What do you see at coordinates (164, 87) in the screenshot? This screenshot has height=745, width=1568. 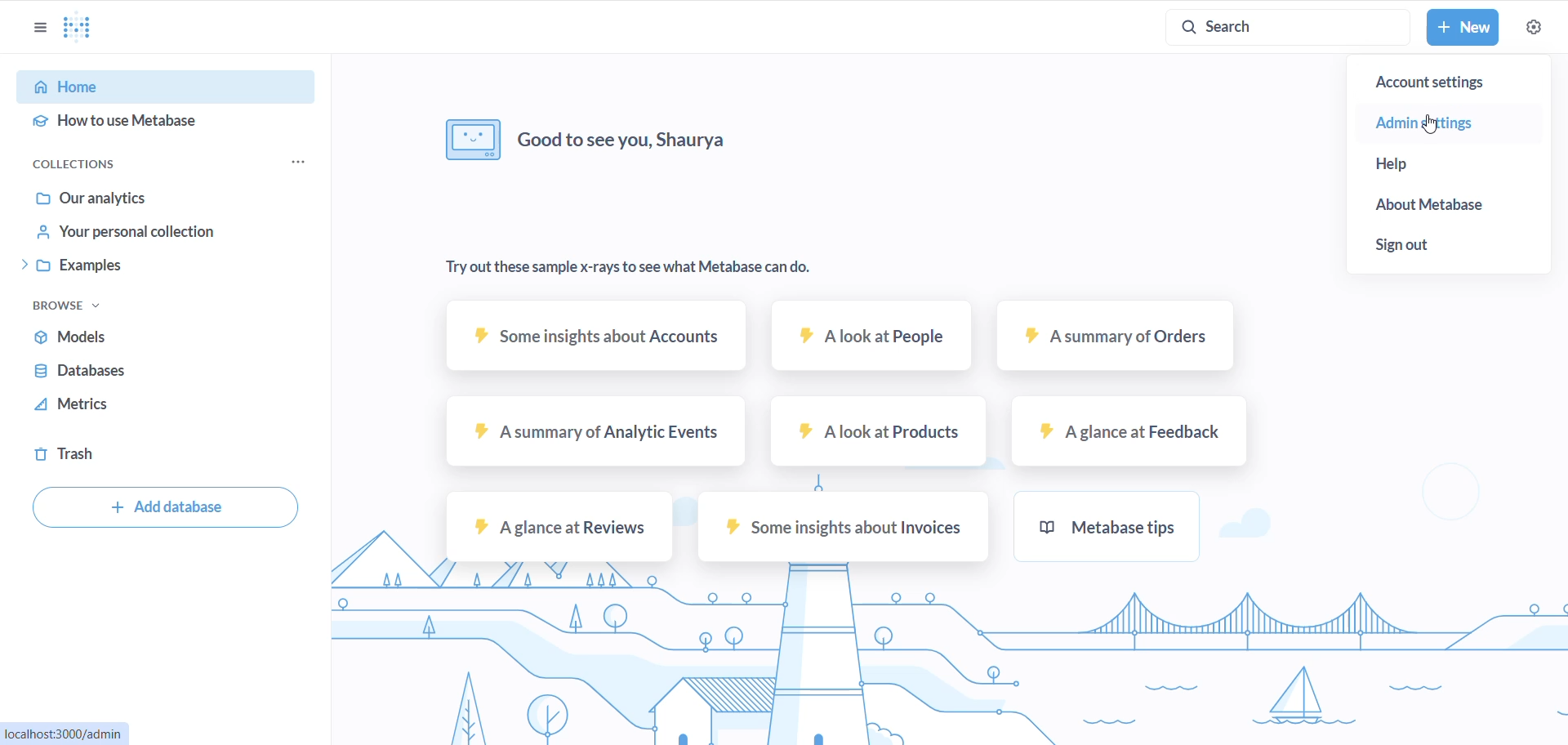 I see `HOME` at bounding box center [164, 87].